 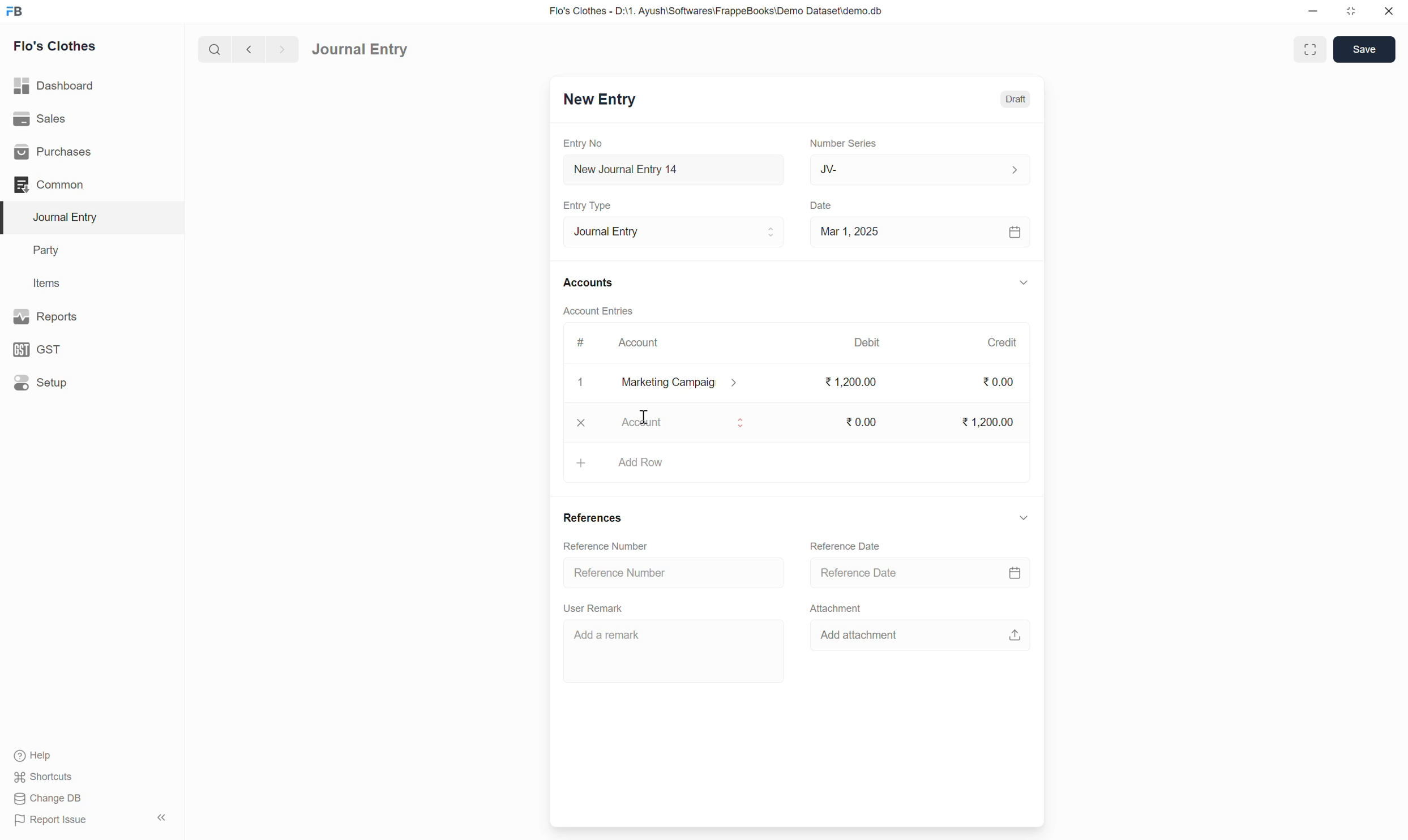 What do you see at coordinates (50, 185) in the screenshot?
I see `Common` at bounding box center [50, 185].